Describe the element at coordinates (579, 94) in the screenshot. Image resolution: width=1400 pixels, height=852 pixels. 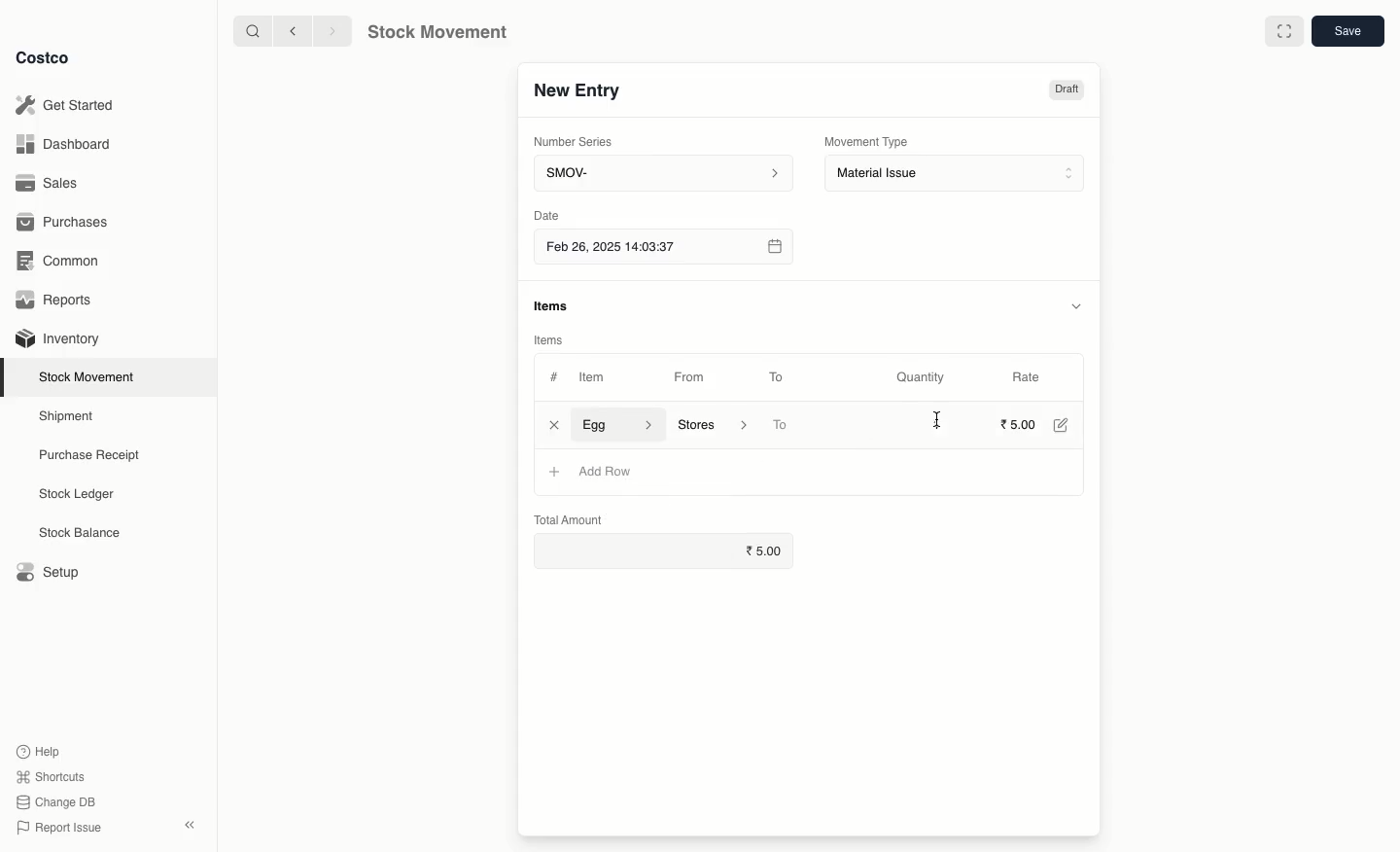
I see `New Entry` at that location.